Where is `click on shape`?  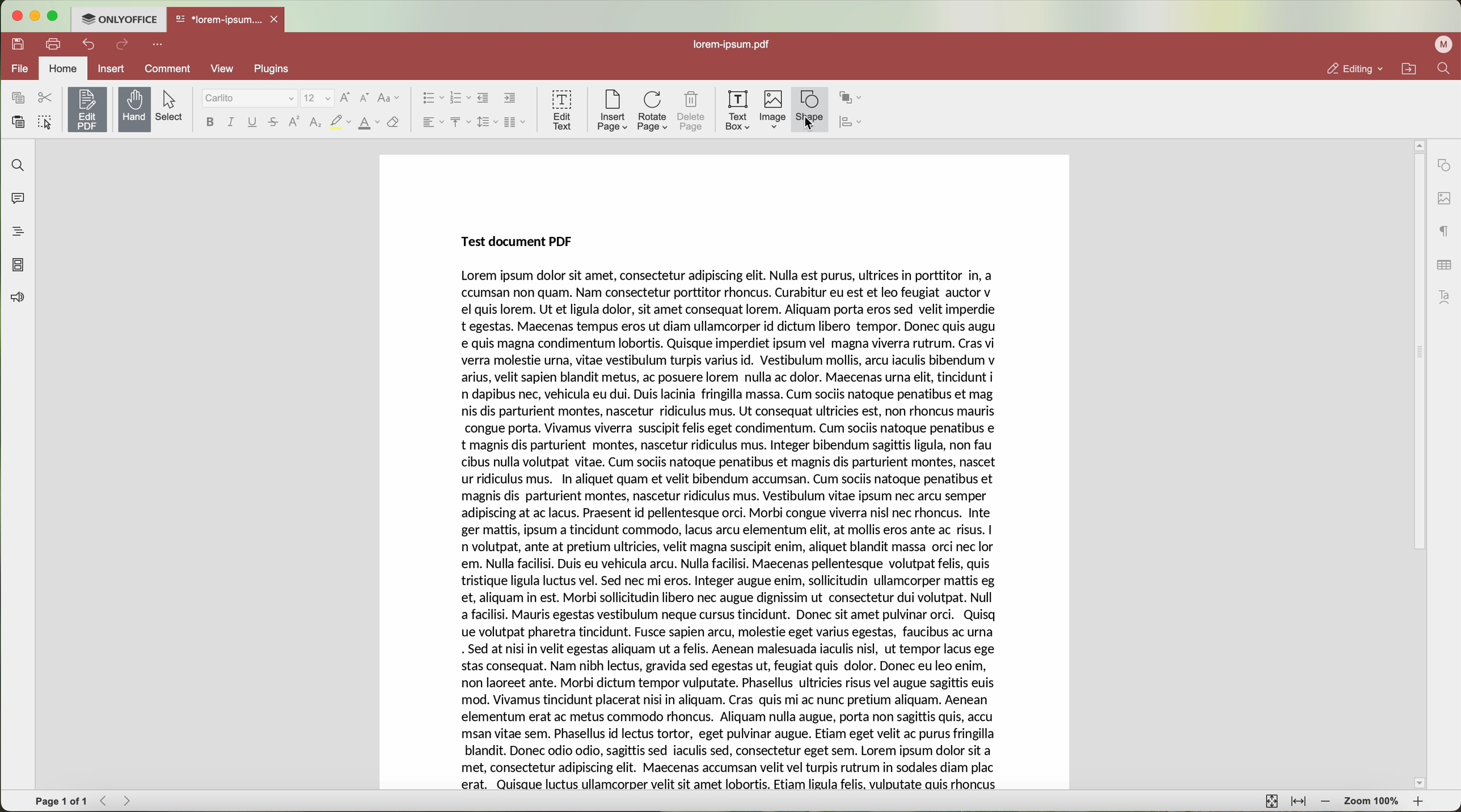
click on shape is located at coordinates (810, 109).